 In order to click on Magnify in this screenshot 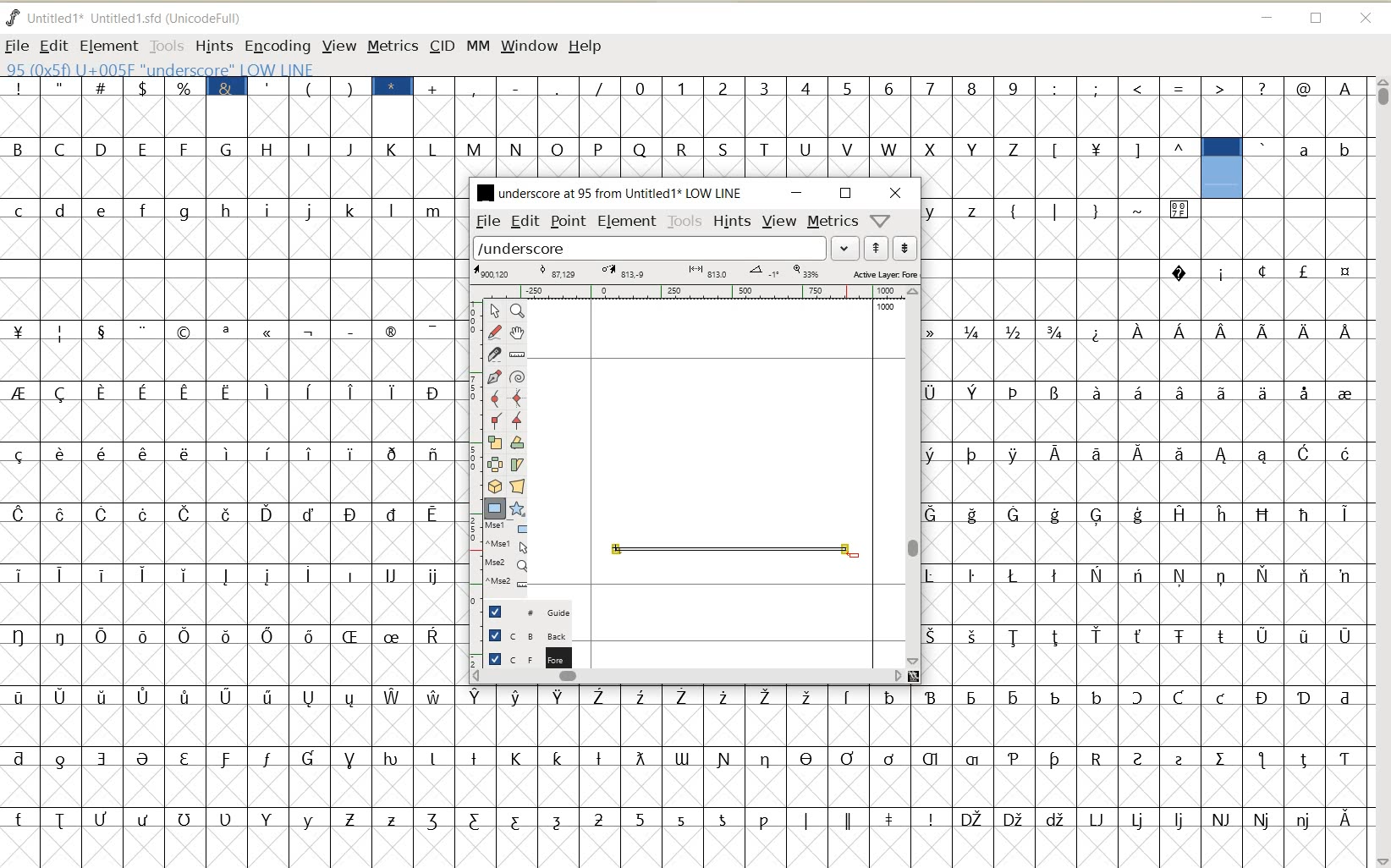, I will do `click(516, 310)`.